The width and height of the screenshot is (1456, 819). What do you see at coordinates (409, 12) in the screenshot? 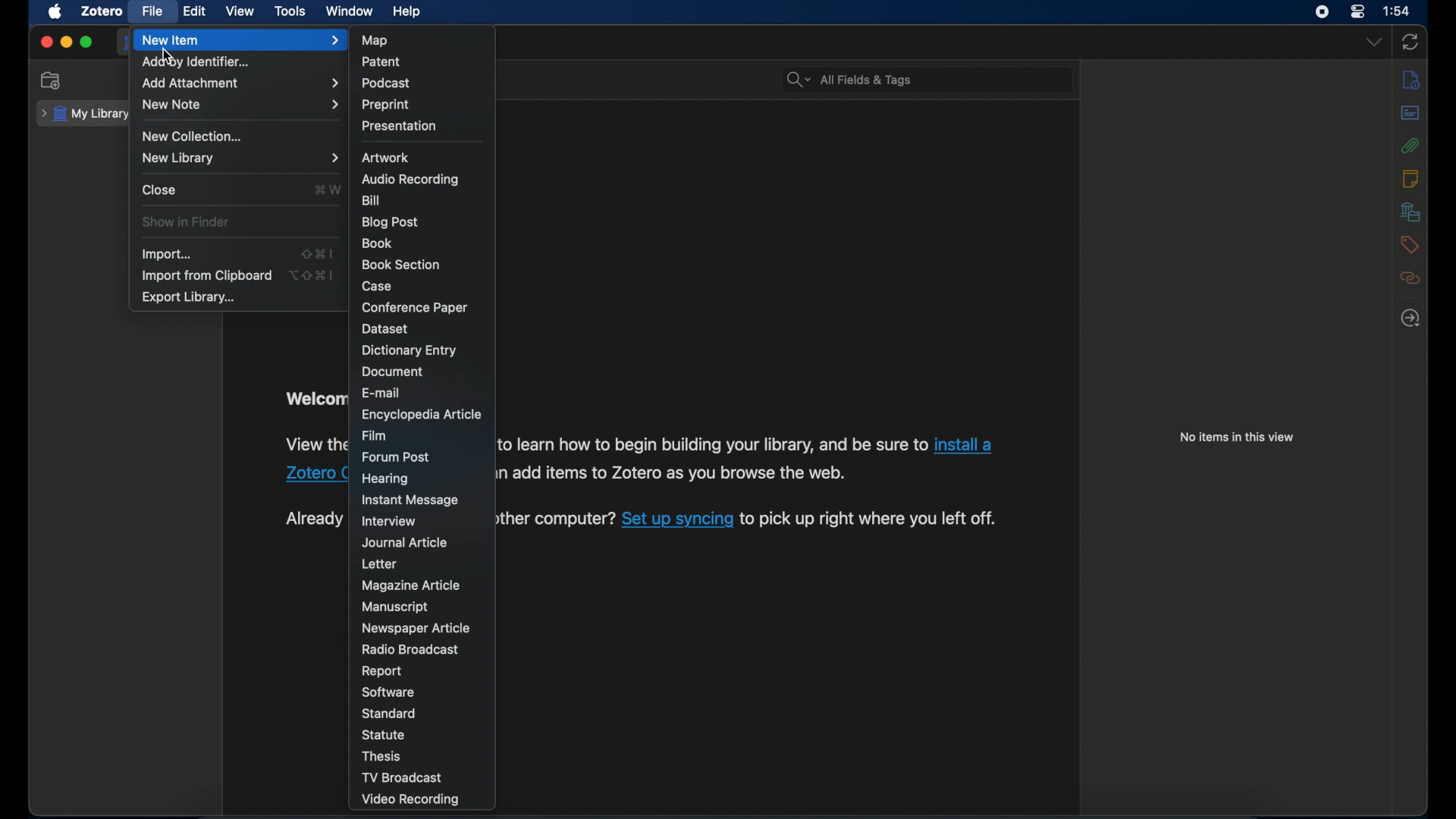
I see `help` at bounding box center [409, 12].